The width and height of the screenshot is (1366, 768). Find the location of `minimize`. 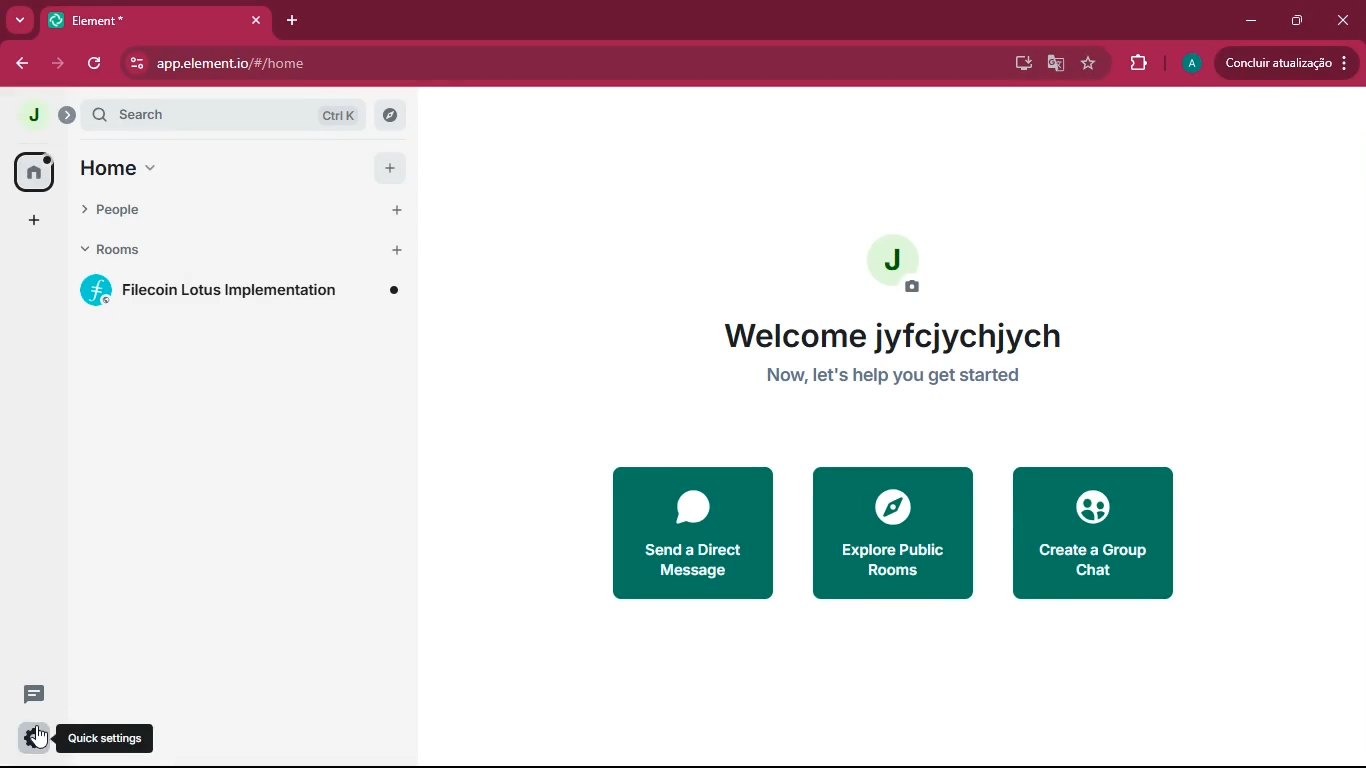

minimize is located at coordinates (1252, 22).